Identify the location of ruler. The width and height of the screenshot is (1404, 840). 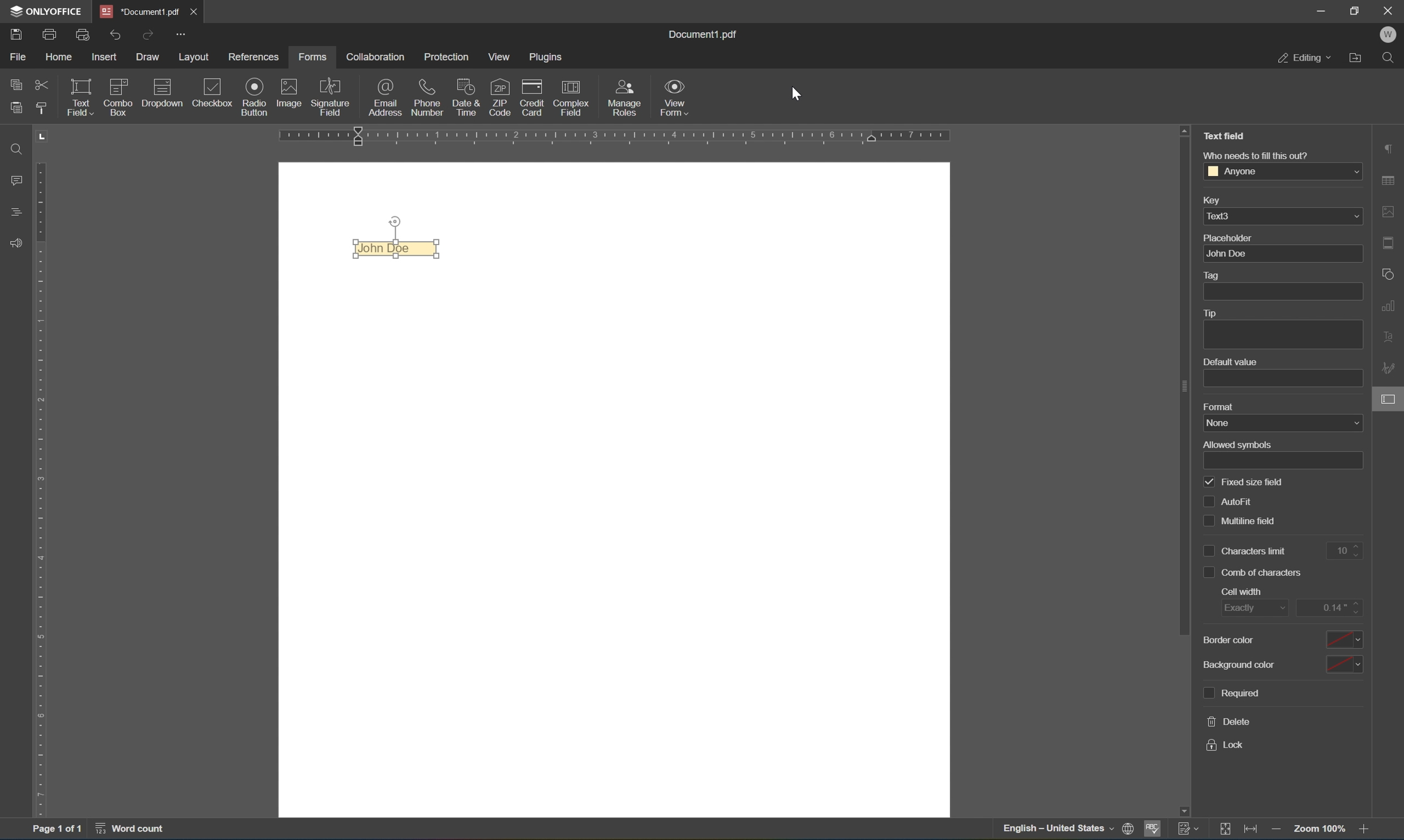
(608, 138).